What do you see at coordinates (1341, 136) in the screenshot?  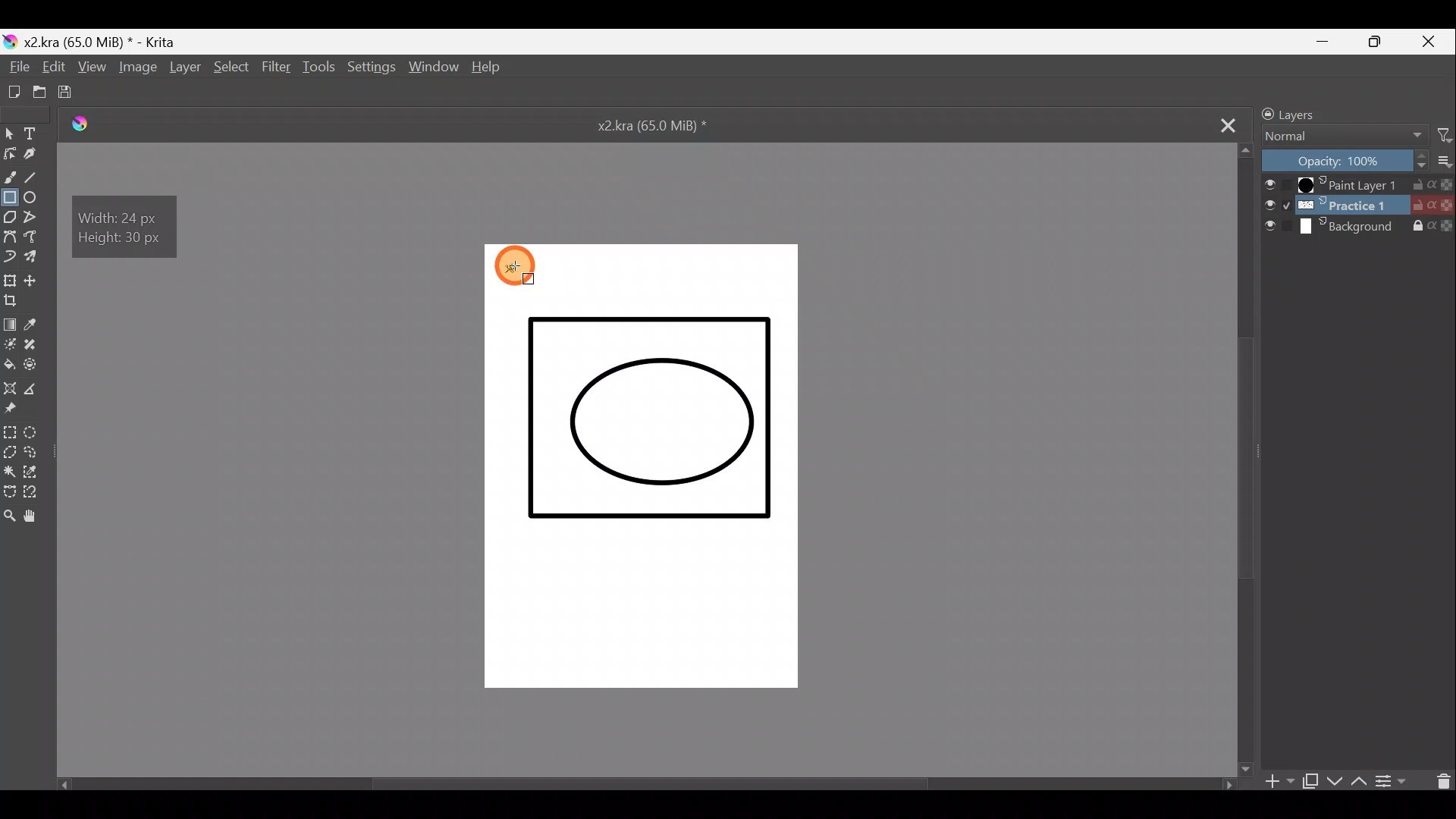 I see `Normal Blending mode` at bounding box center [1341, 136].